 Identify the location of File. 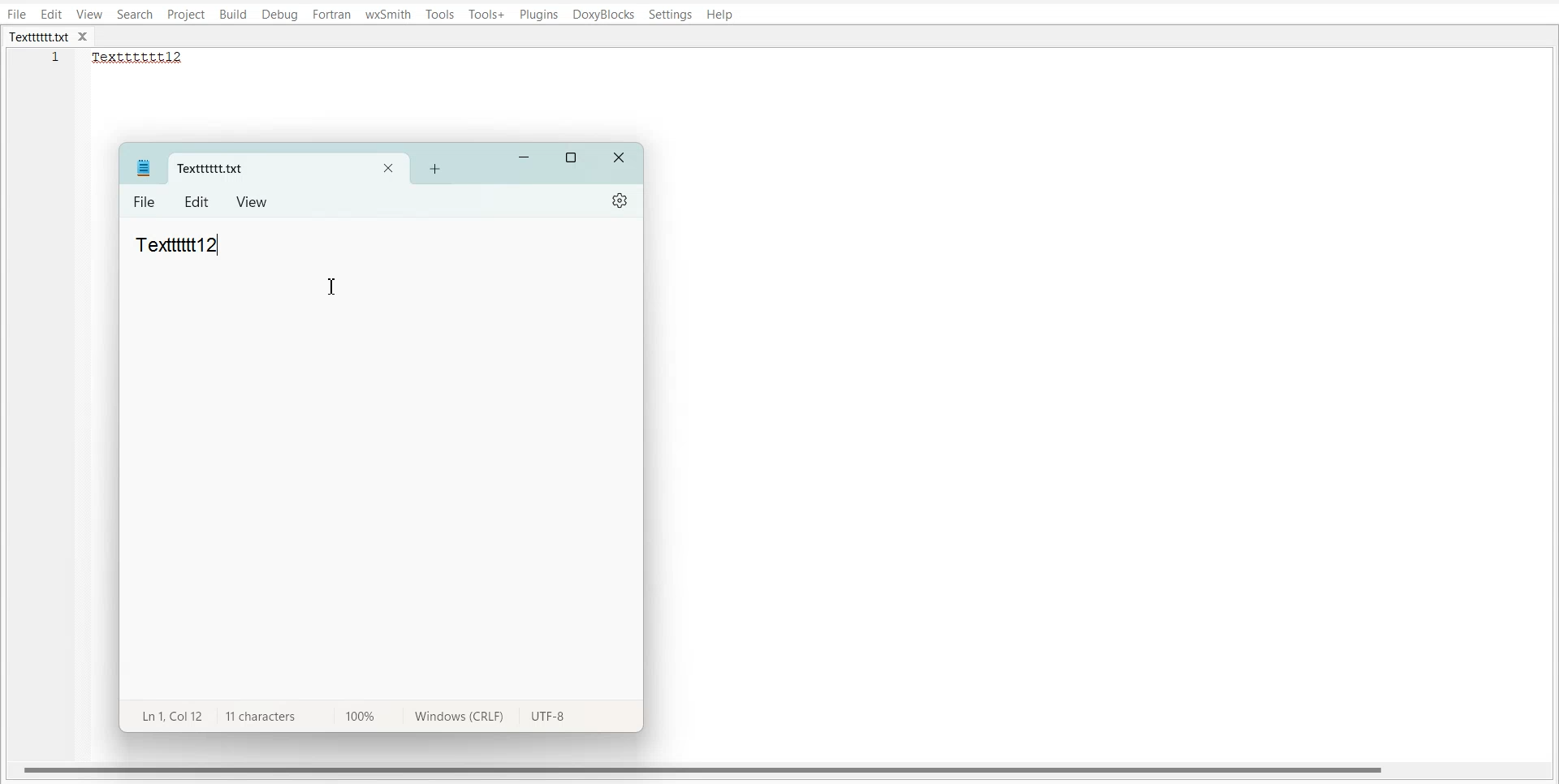
(16, 14).